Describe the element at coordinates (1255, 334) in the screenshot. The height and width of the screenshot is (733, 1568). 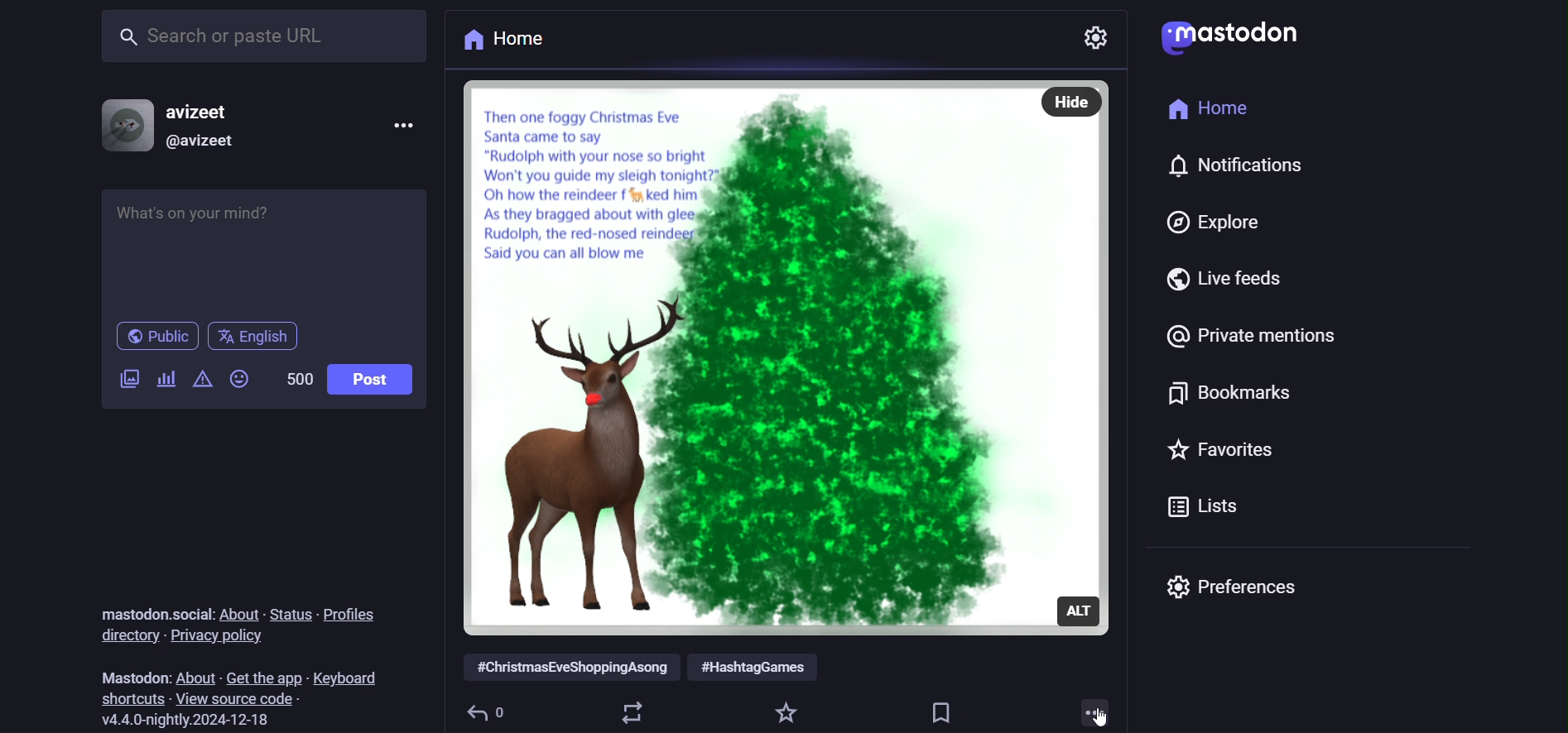
I see `private mention` at that location.